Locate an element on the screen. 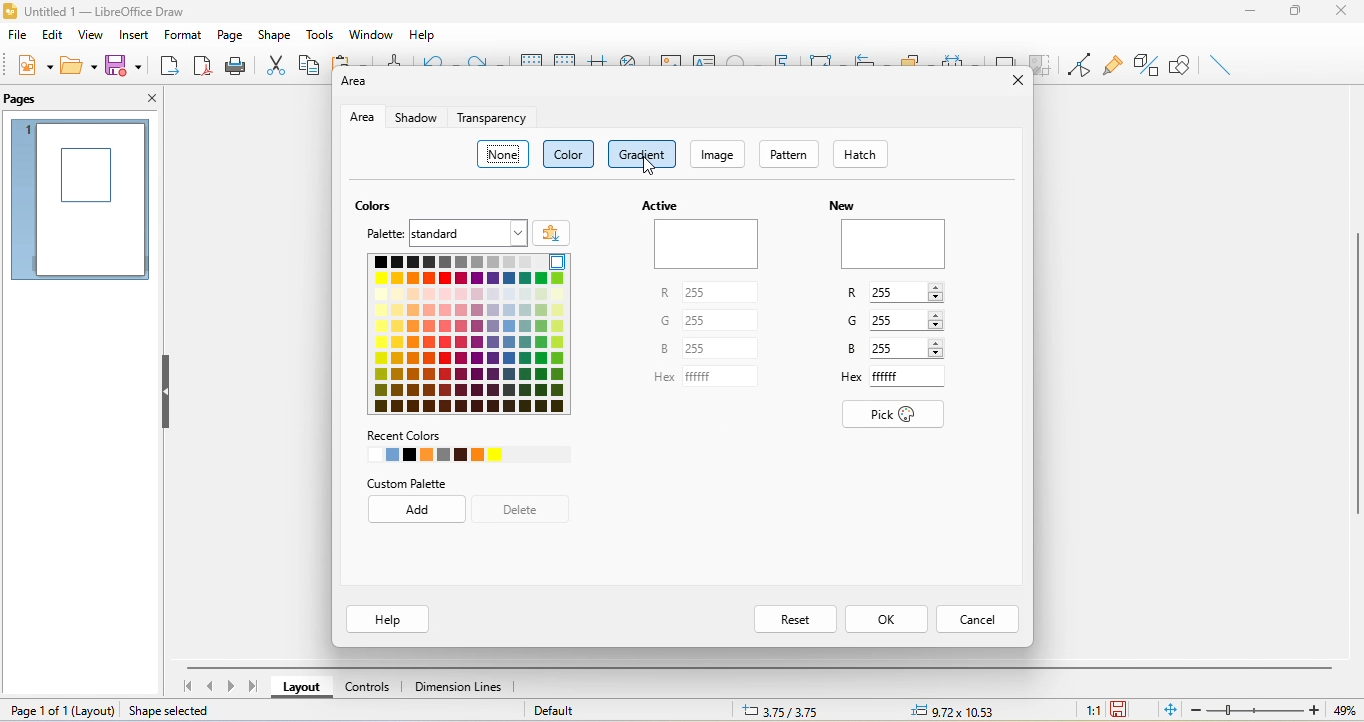 Image resolution: width=1364 pixels, height=722 pixels. dimension lines is located at coordinates (463, 686).